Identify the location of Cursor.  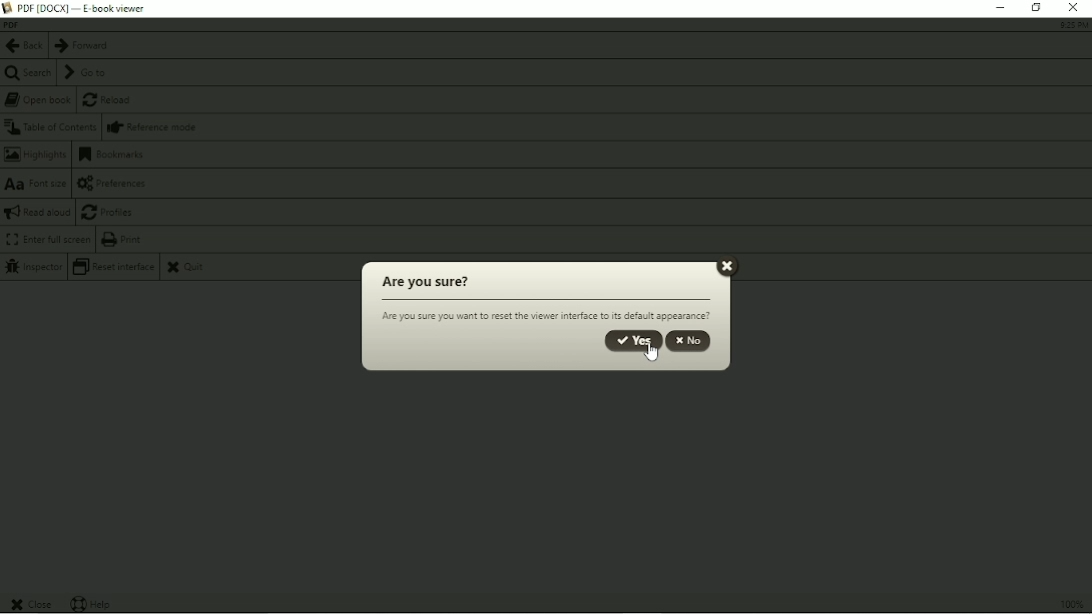
(646, 356).